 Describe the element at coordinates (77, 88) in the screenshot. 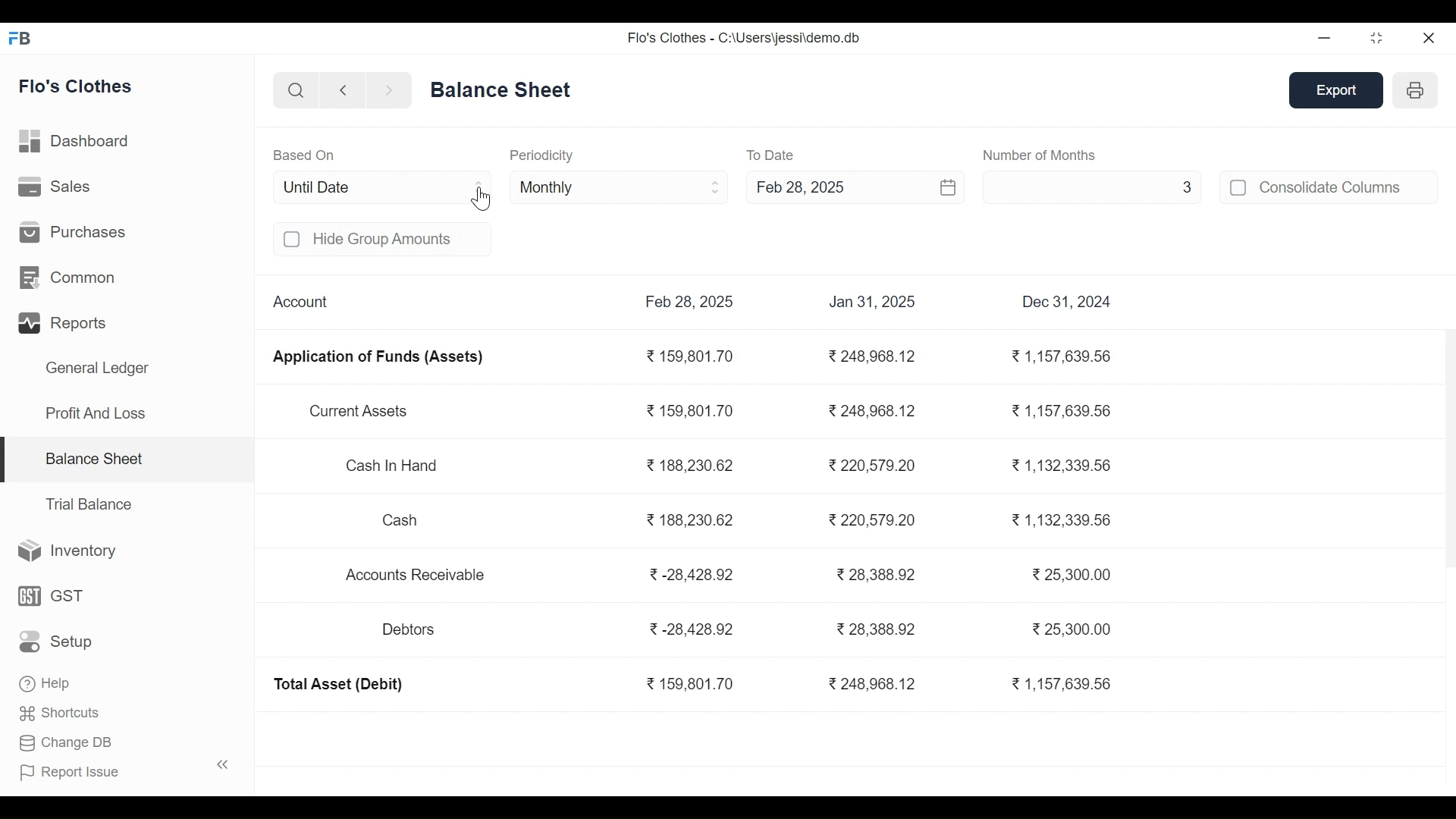

I see `Flo's Clothes` at that location.